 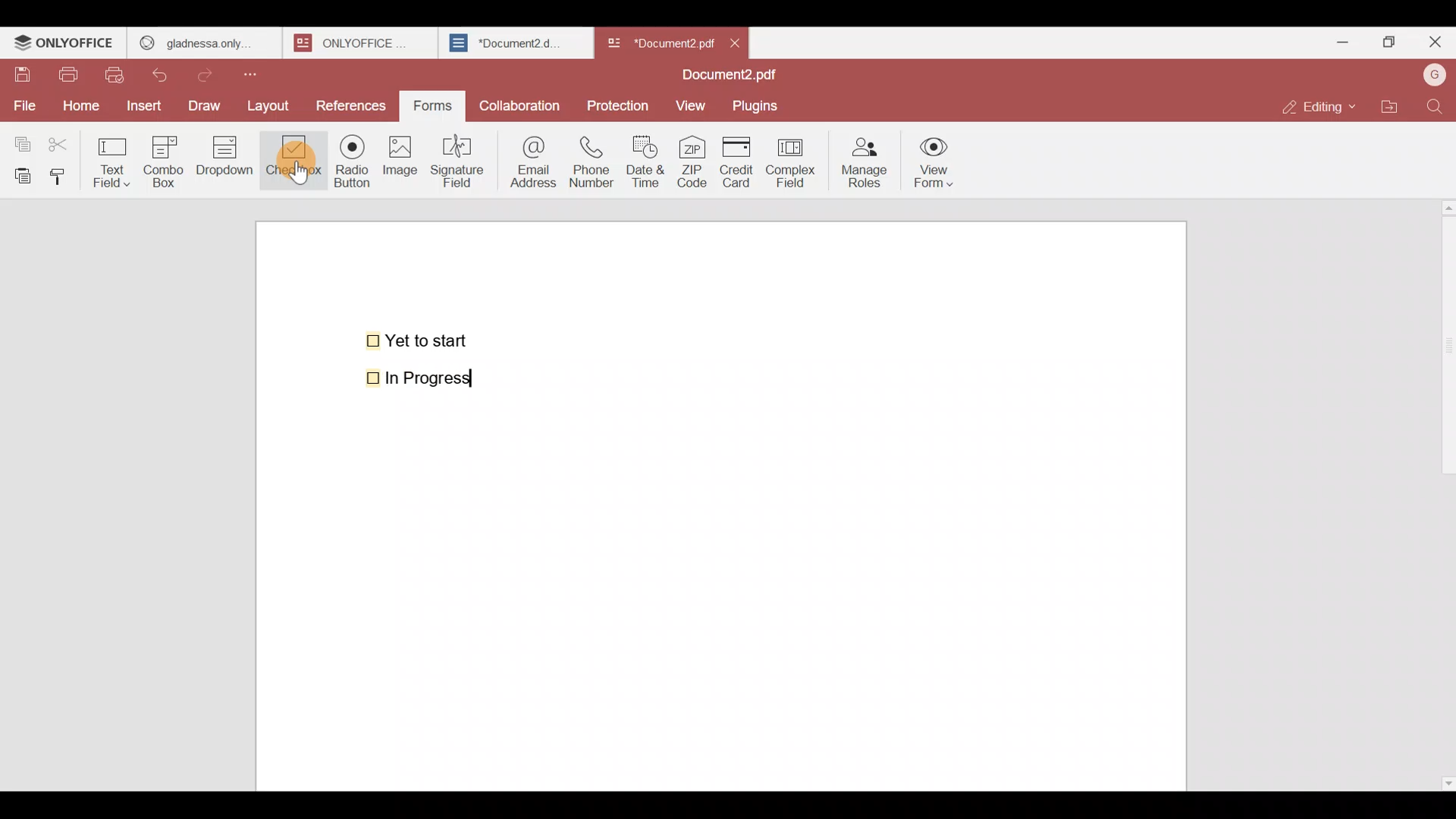 I want to click on Undo, so click(x=167, y=72).